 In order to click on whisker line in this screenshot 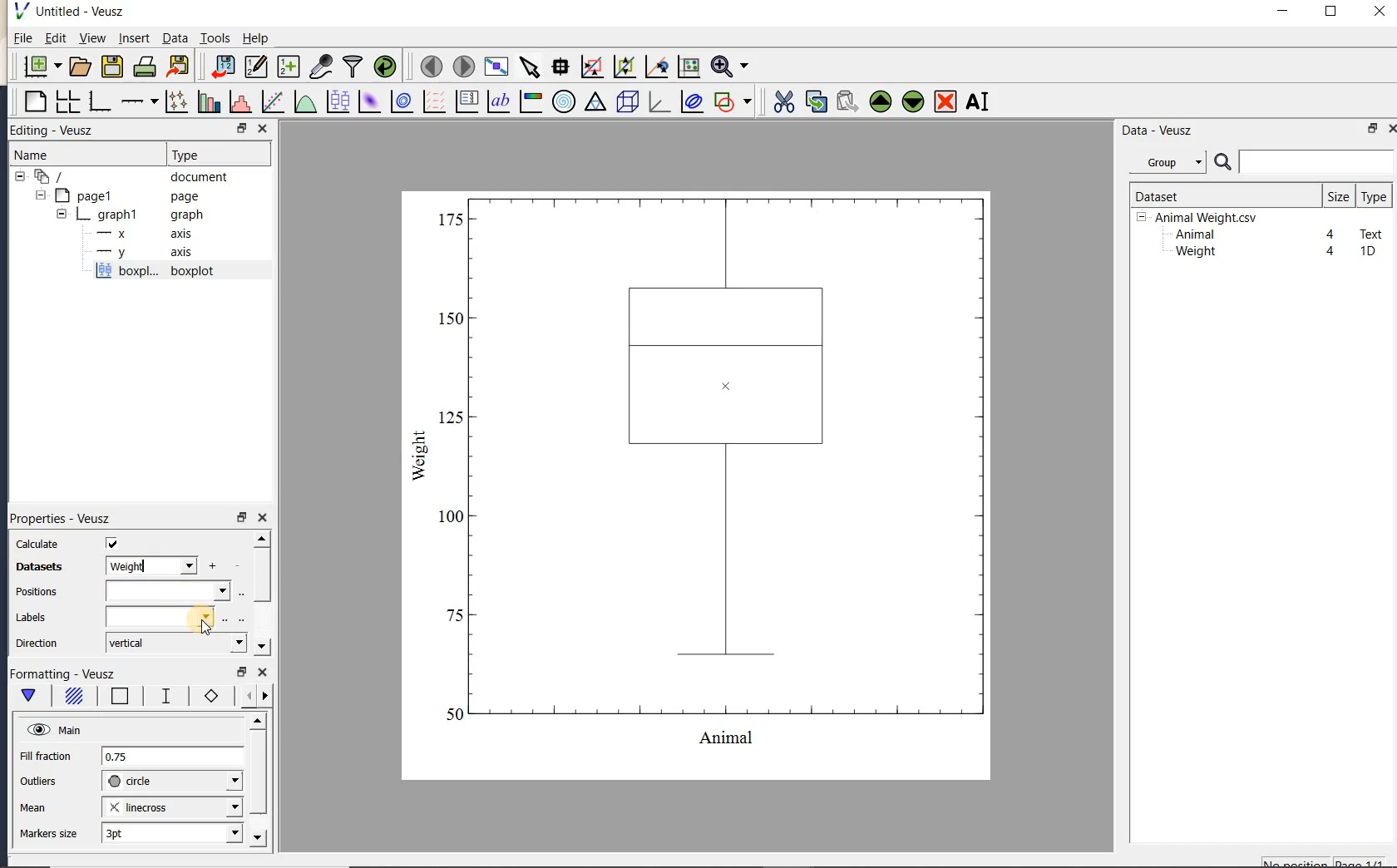, I will do `click(163, 696)`.